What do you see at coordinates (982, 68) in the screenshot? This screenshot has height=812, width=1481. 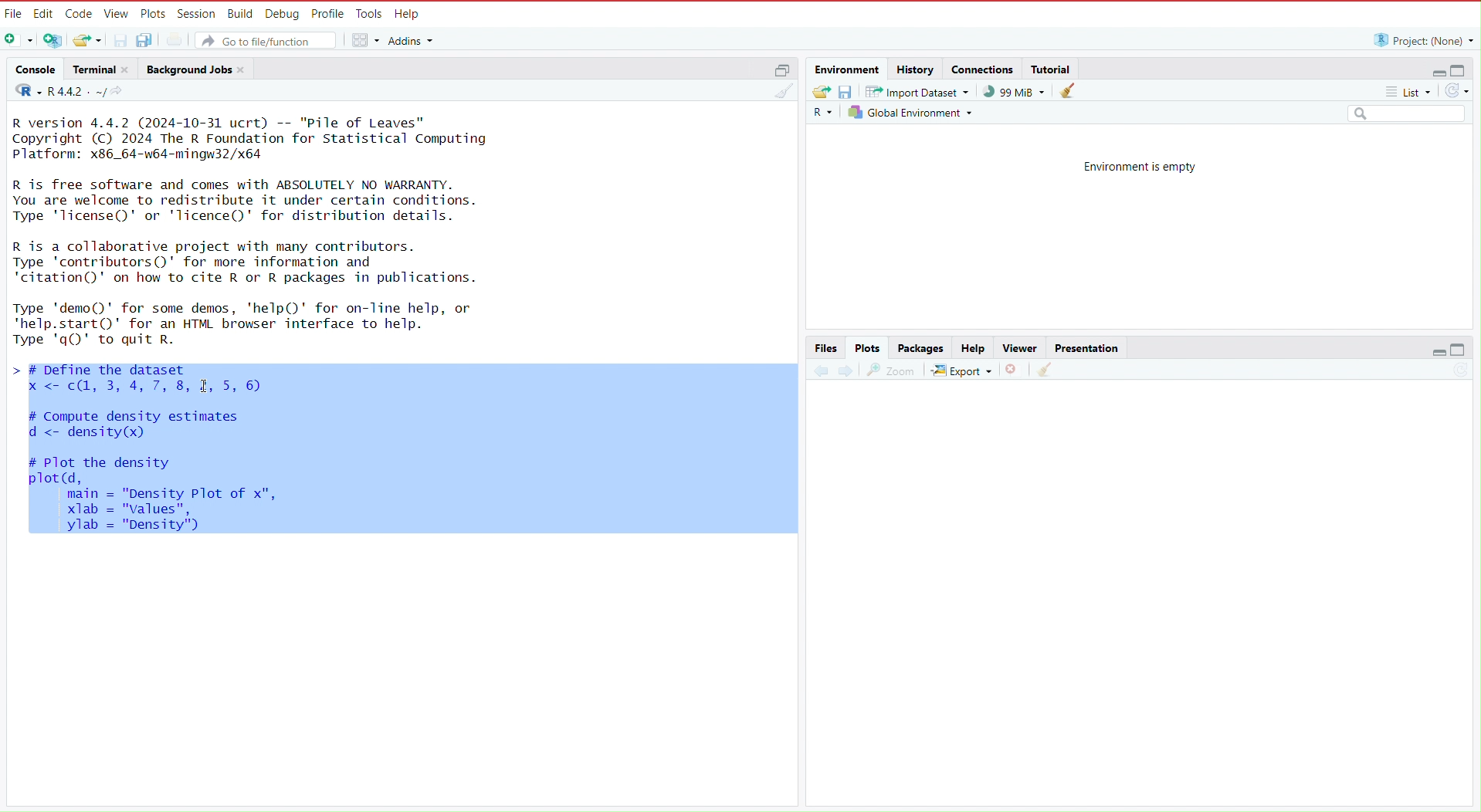 I see `connections` at bounding box center [982, 68].